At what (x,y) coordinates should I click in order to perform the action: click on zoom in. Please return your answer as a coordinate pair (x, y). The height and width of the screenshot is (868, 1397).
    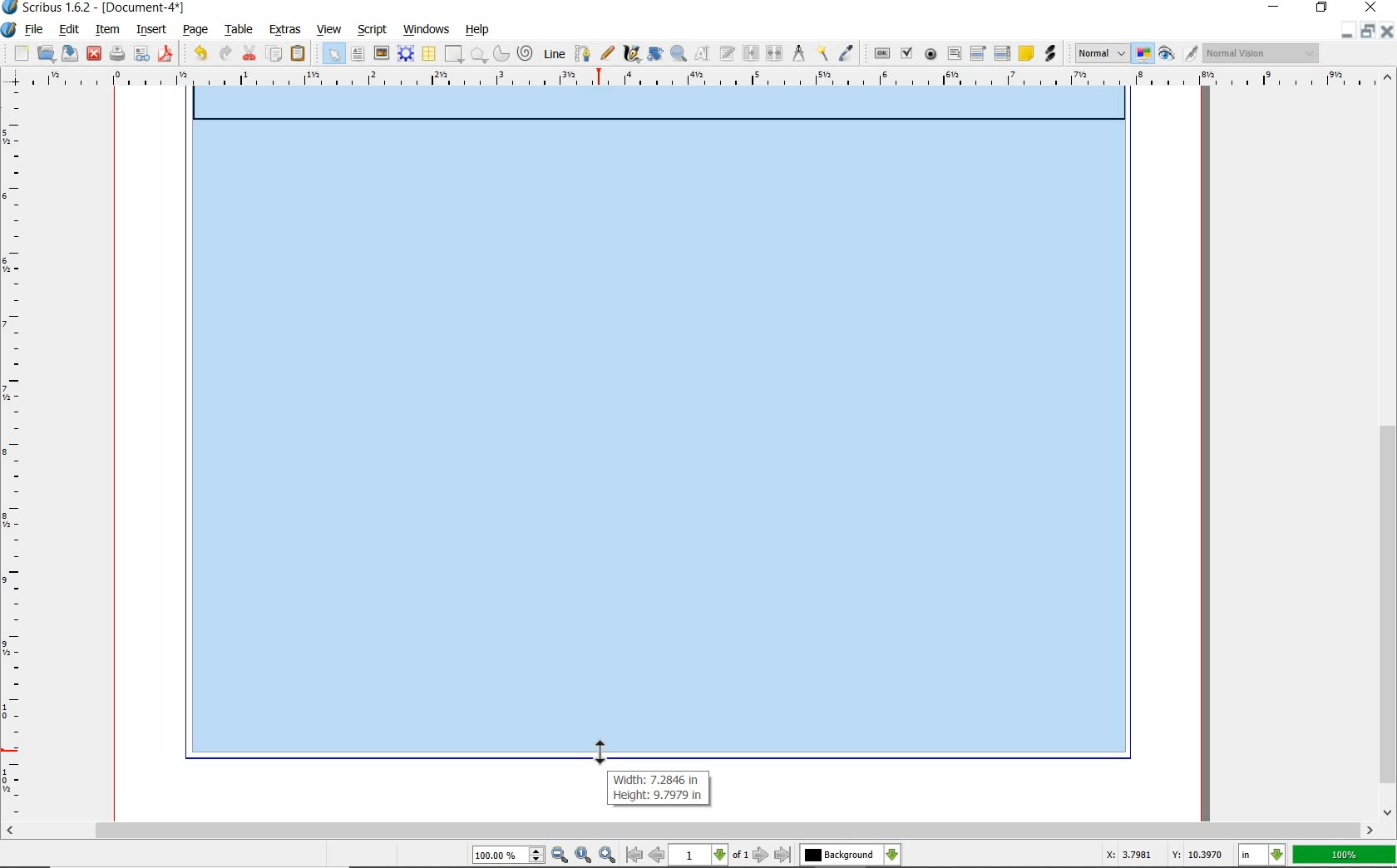
    Looking at the image, I should click on (608, 855).